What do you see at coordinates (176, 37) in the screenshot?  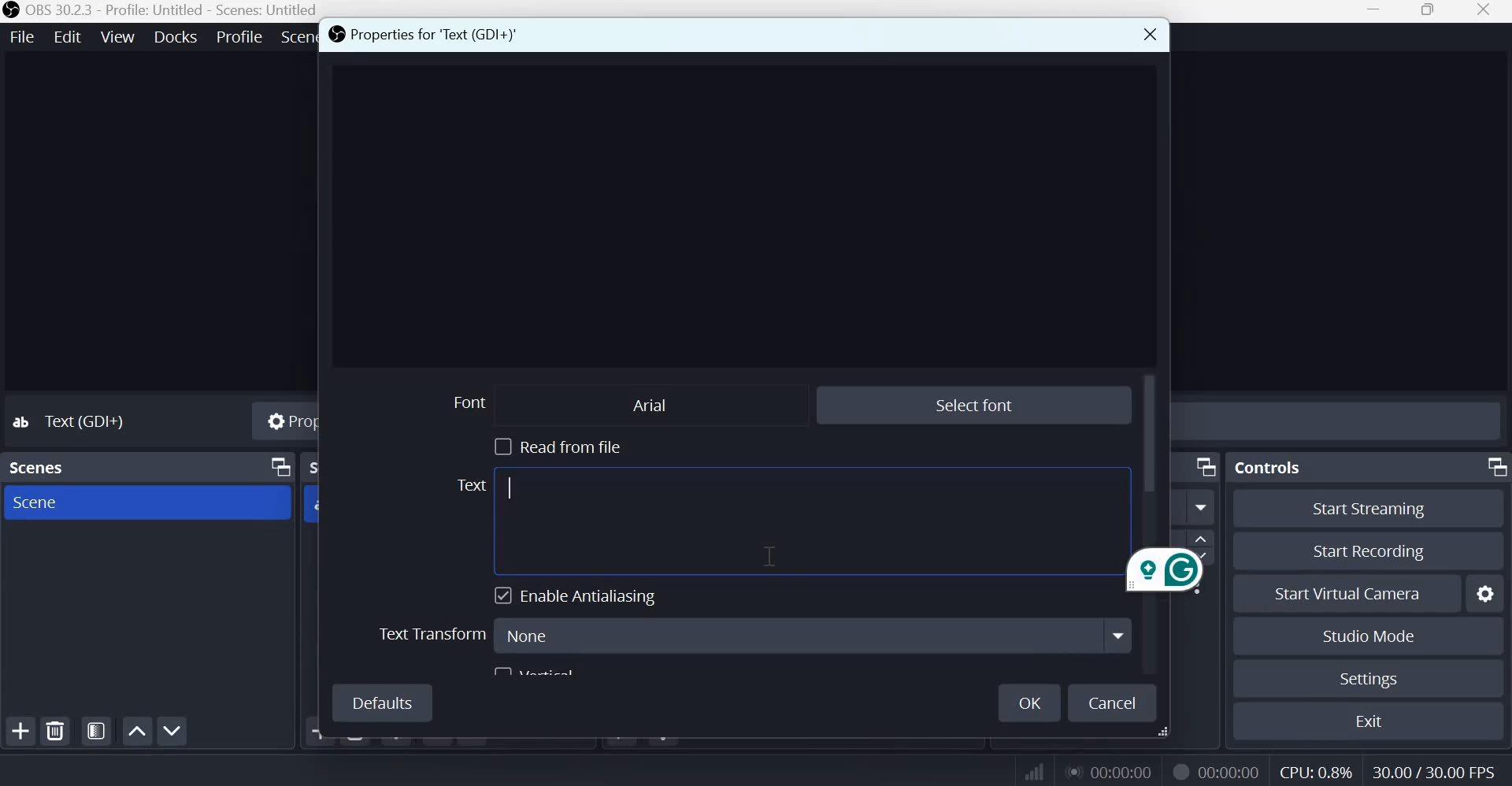 I see `Docks` at bounding box center [176, 37].